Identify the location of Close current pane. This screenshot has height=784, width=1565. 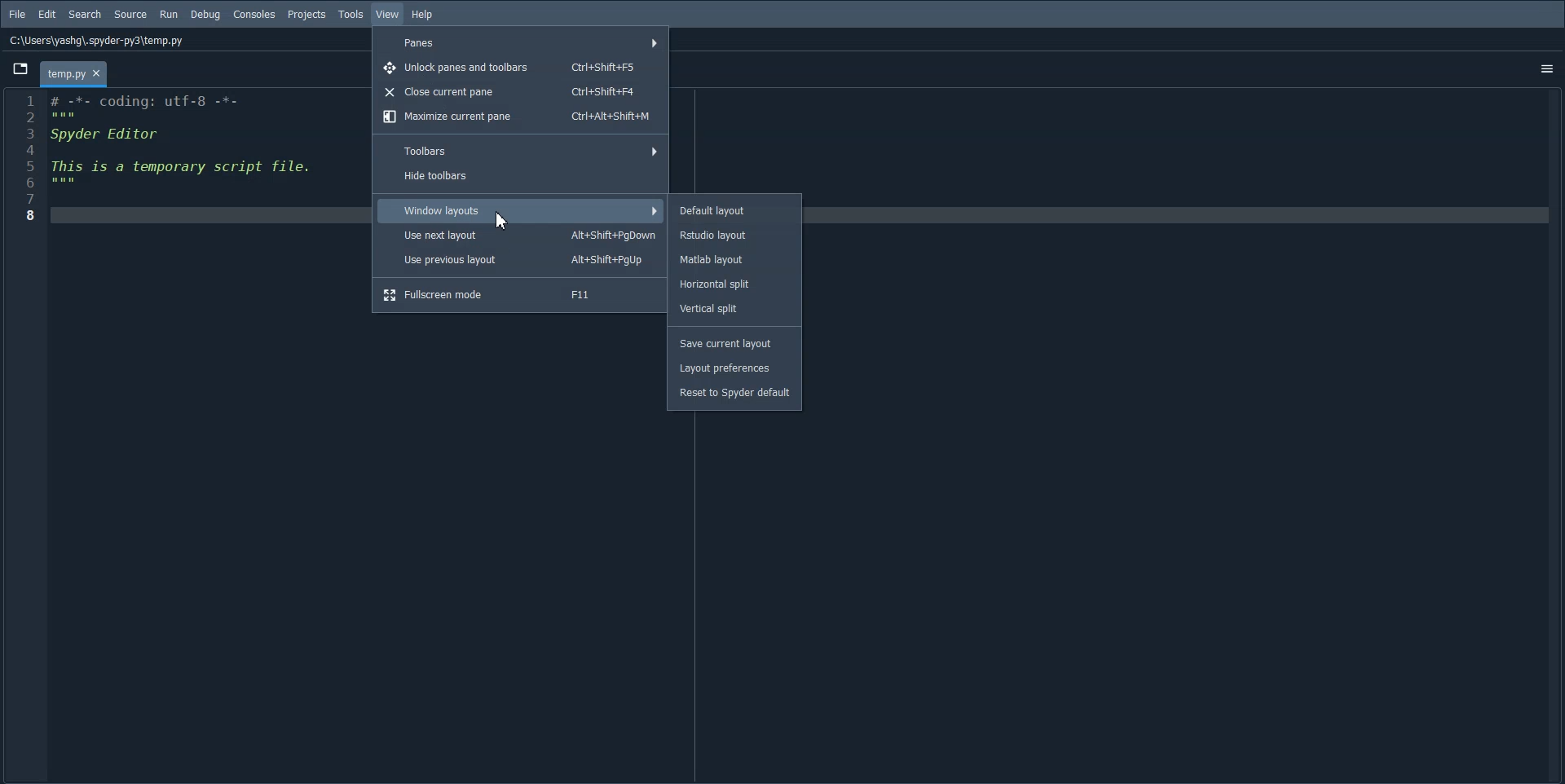
(522, 91).